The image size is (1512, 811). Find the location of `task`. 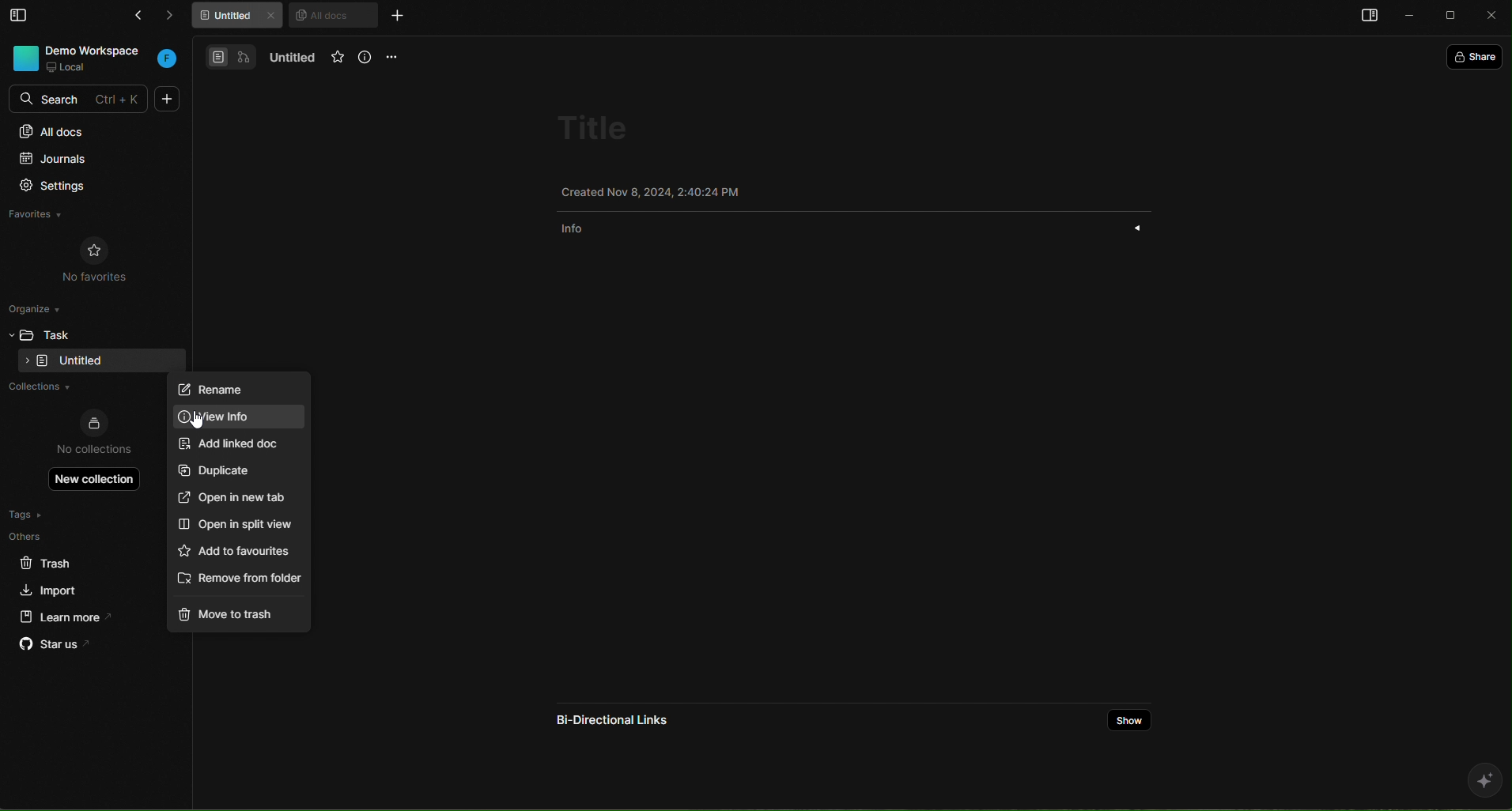

task is located at coordinates (64, 333).